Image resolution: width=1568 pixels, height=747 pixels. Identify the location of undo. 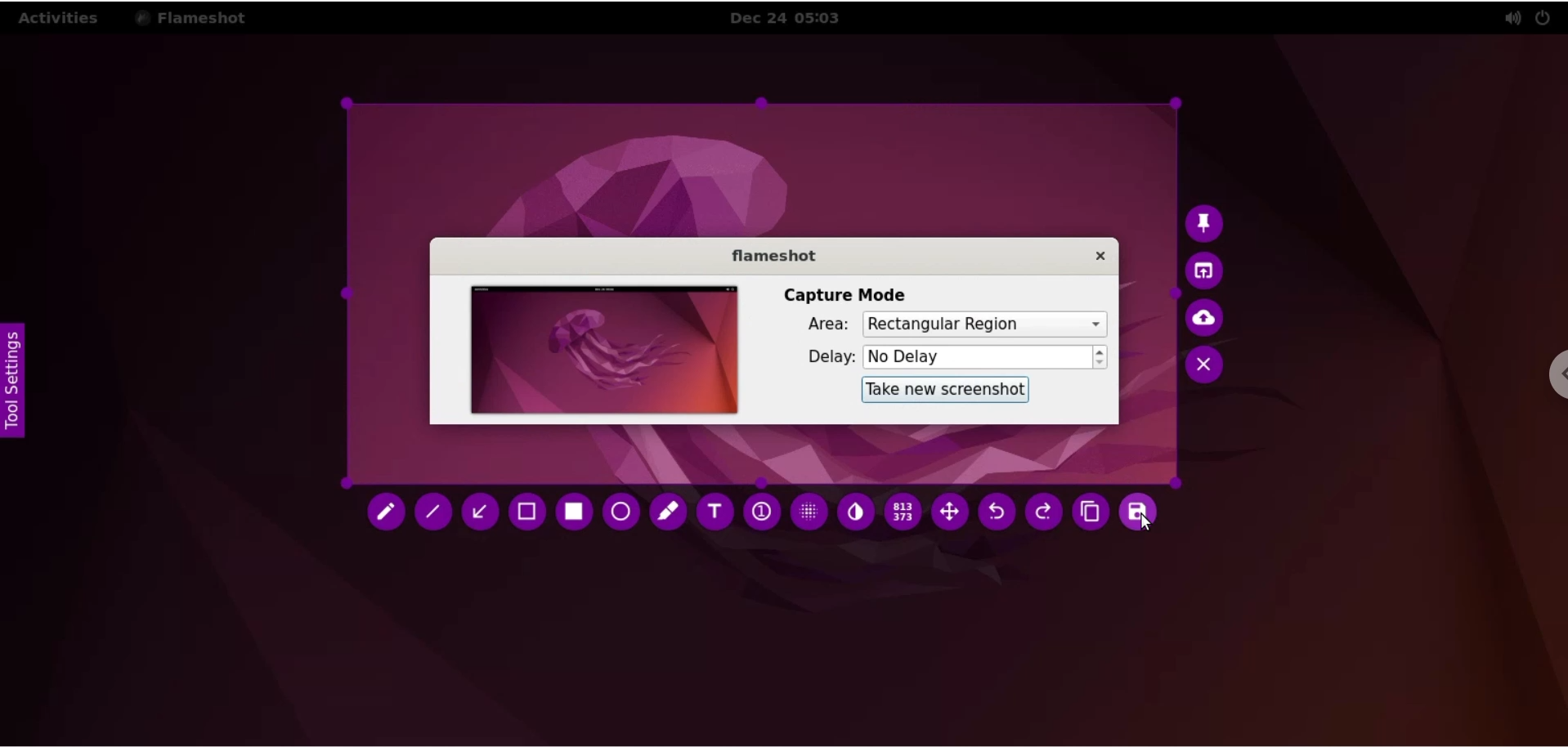
(998, 515).